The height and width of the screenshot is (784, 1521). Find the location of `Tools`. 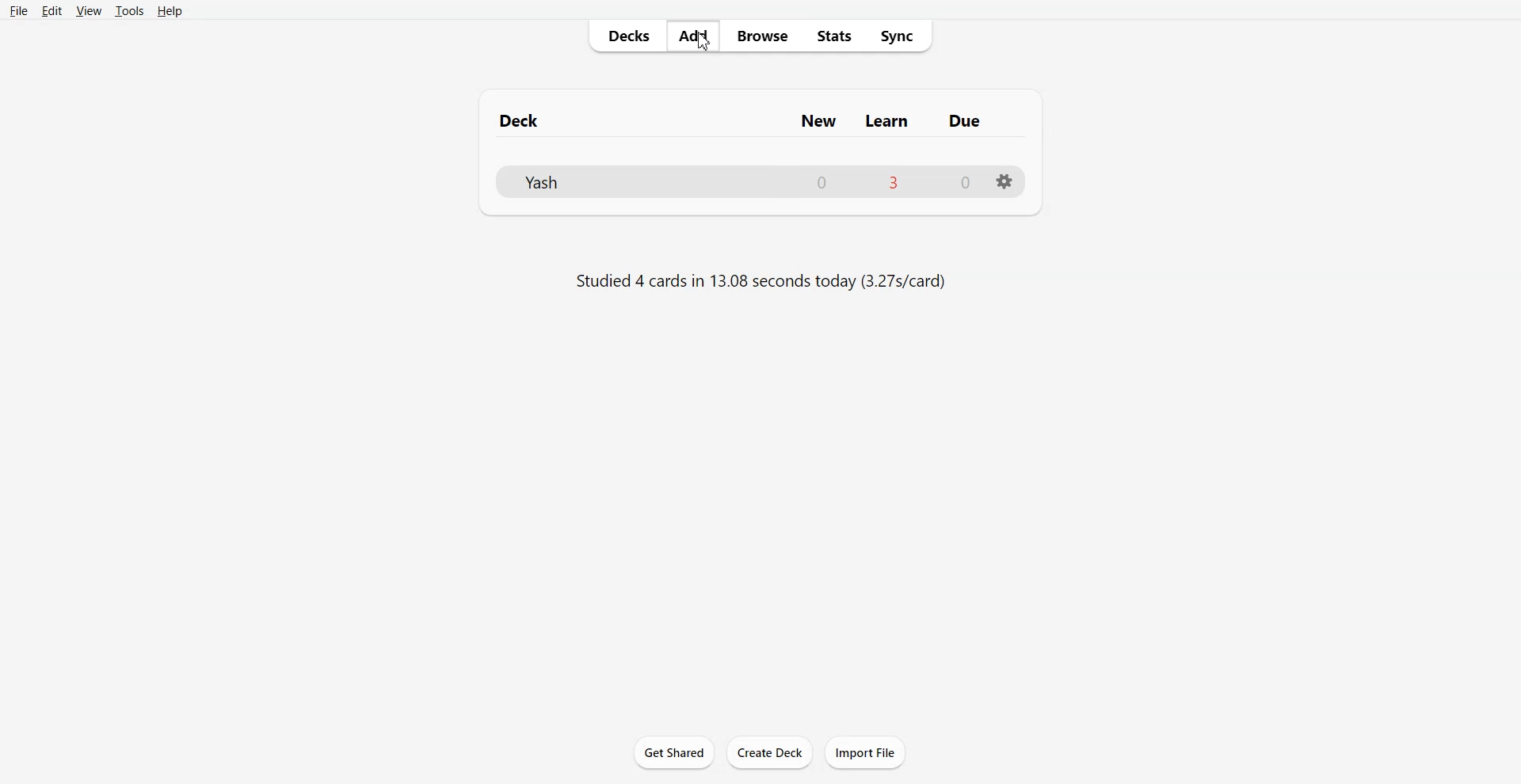

Tools is located at coordinates (129, 11).